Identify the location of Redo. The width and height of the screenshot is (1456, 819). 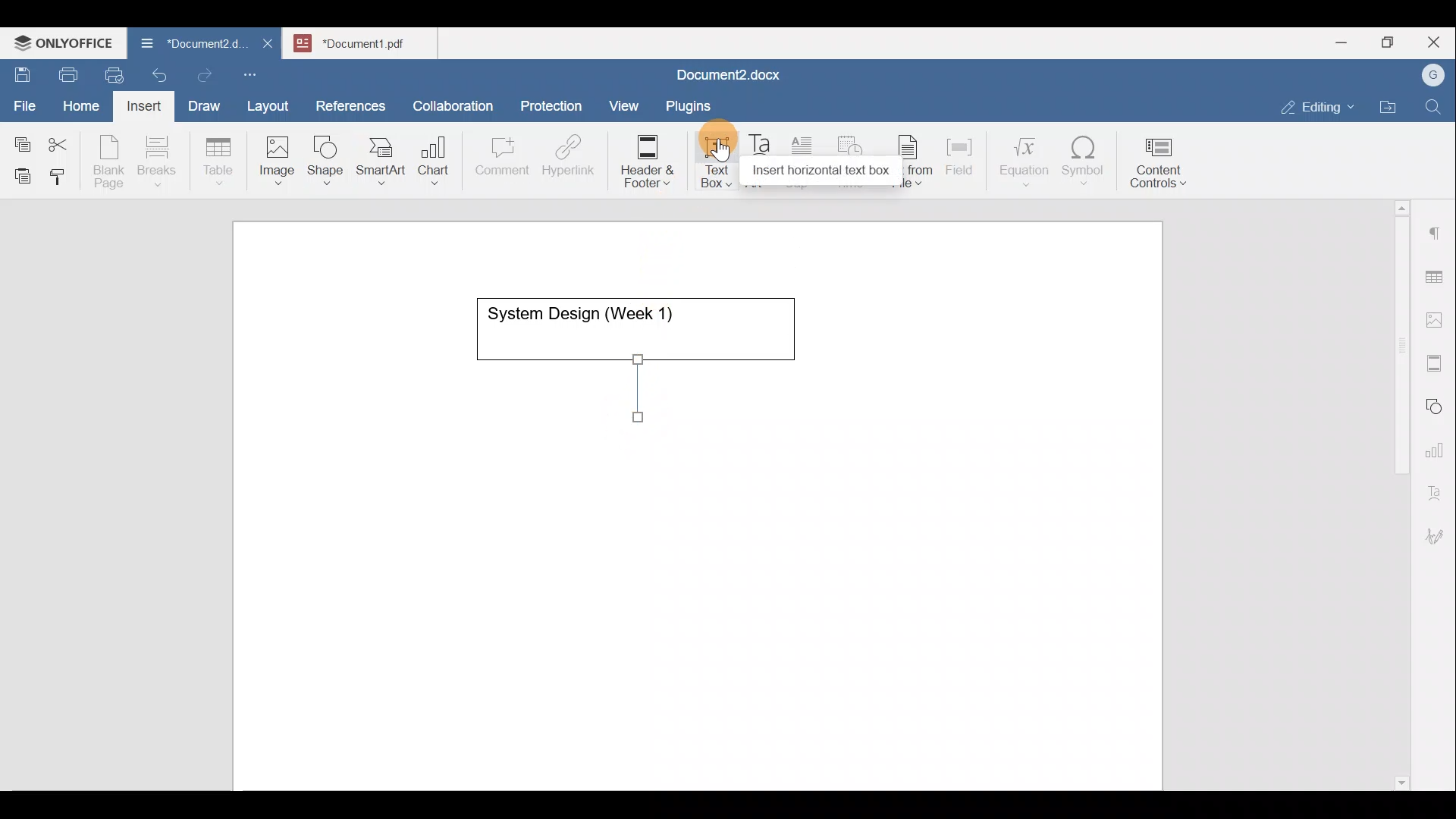
(204, 76).